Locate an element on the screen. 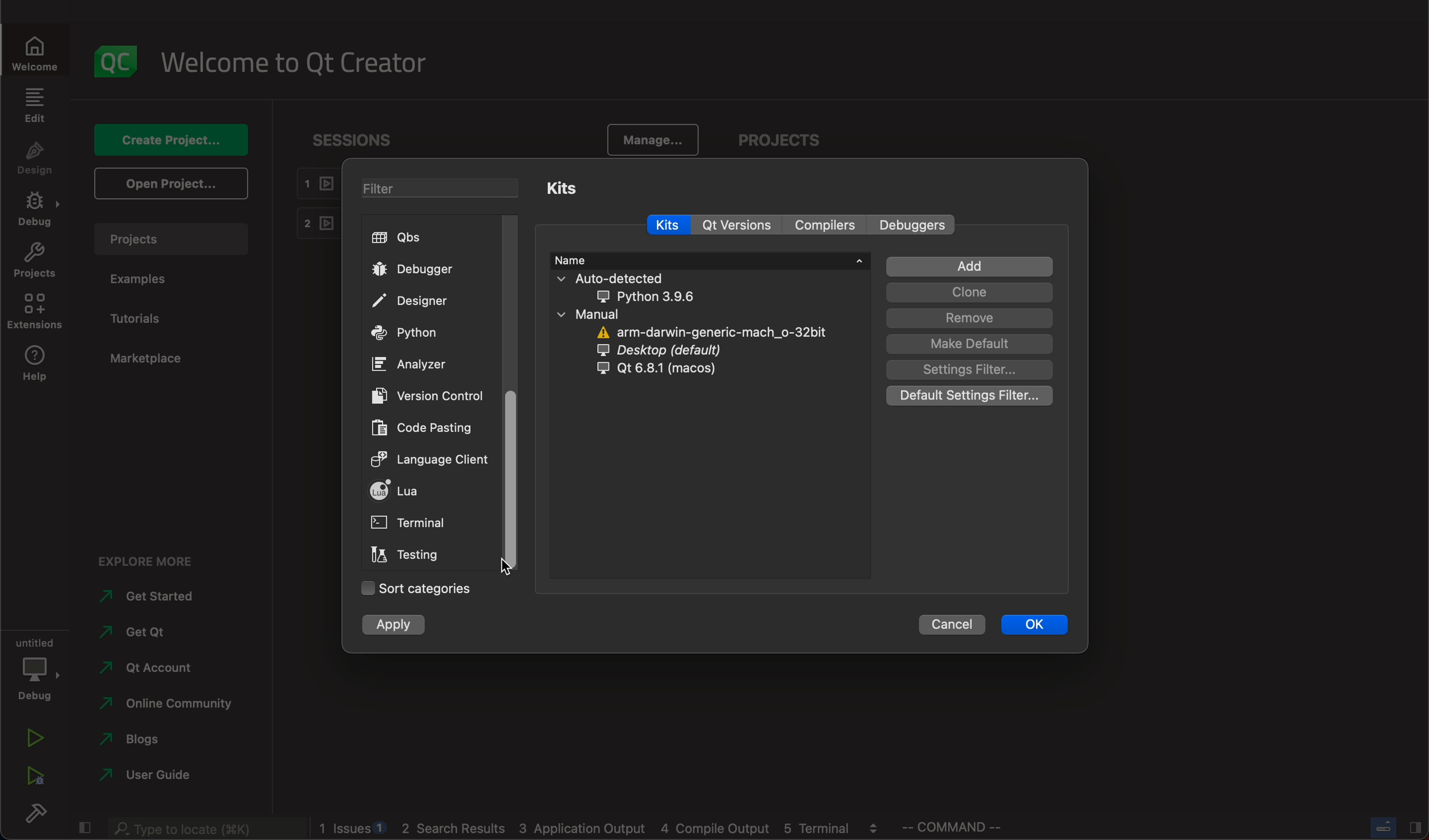 Image resolution: width=1429 pixels, height=840 pixels. marketplace is located at coordinates (146, 360).